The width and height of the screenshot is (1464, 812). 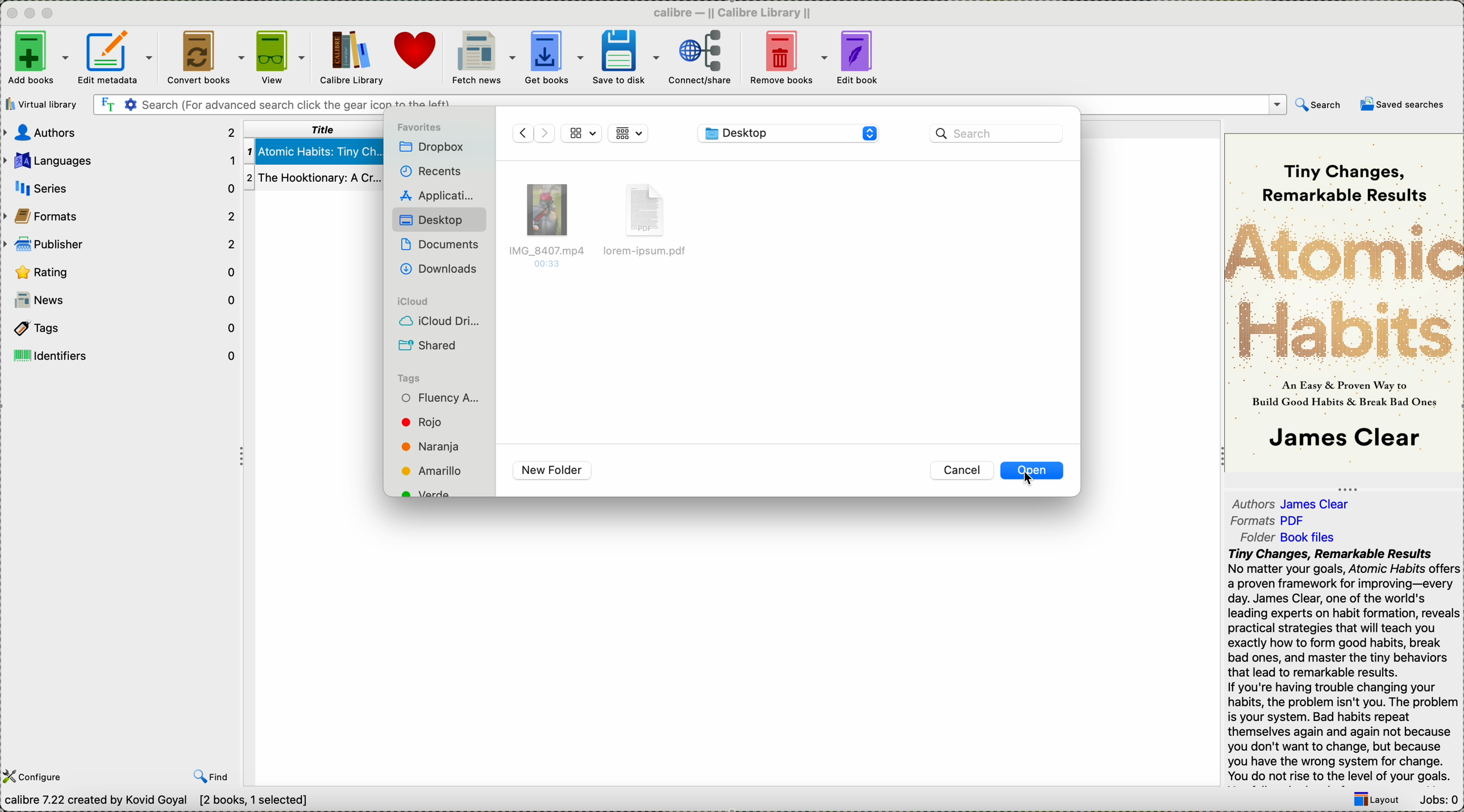 I want to click on title, so click(x=317, y=129).